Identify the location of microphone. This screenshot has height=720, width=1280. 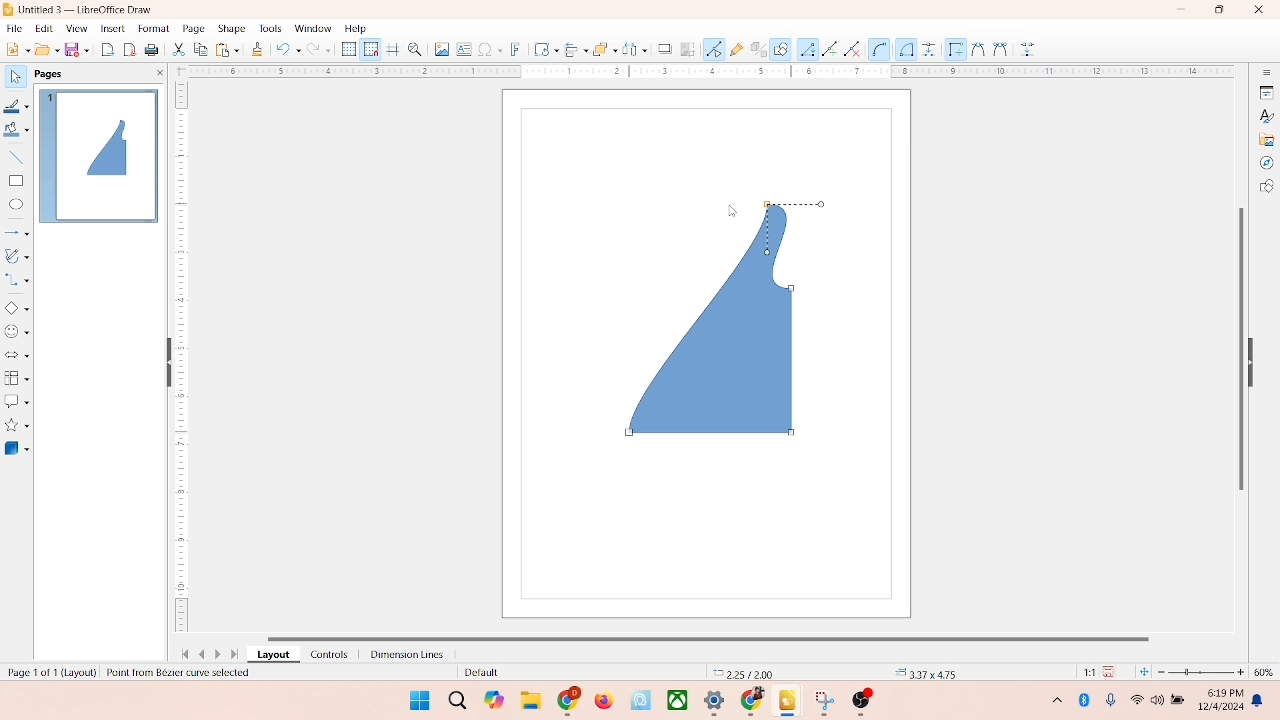
(1112, 701).